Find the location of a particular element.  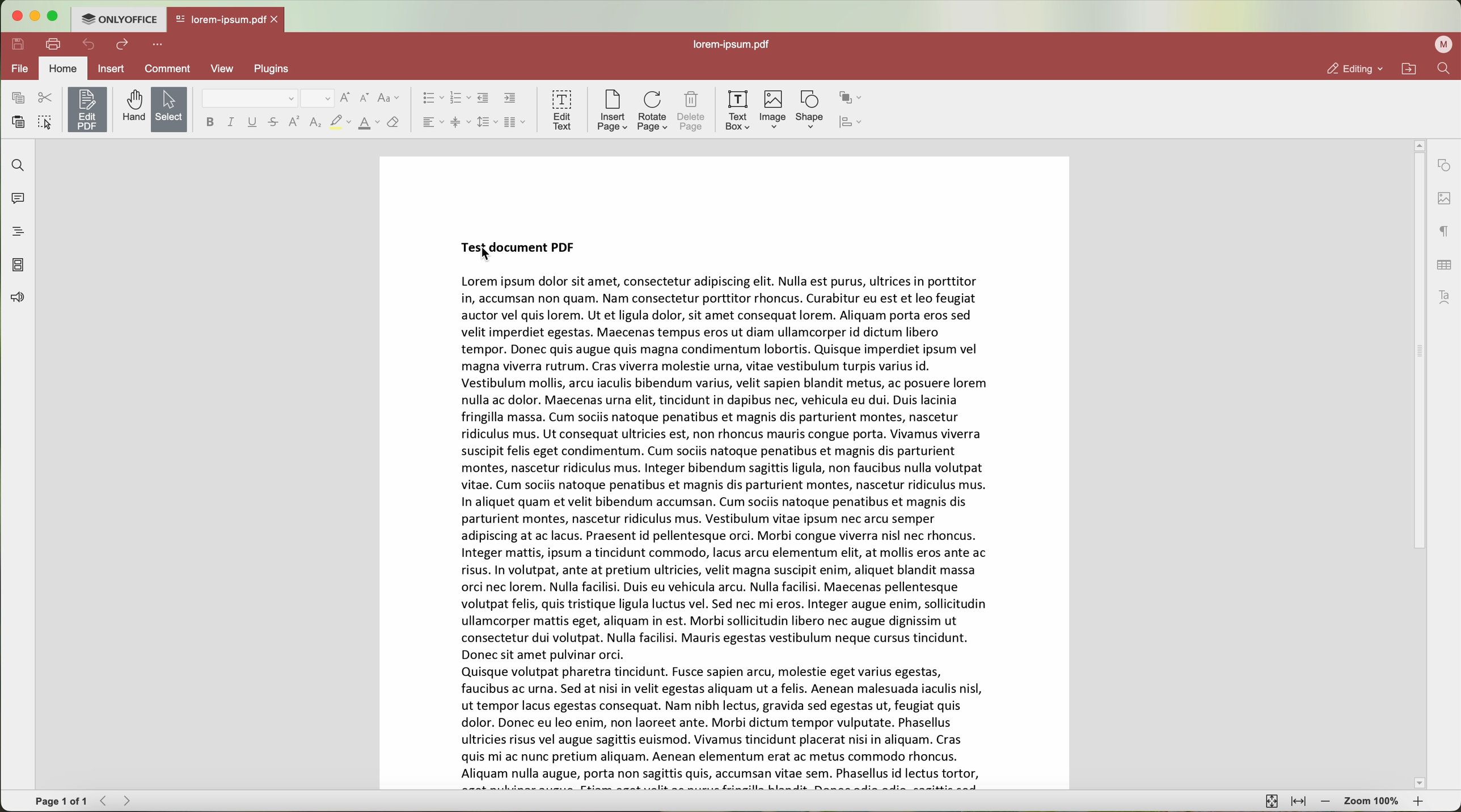

decrease indent is located at coordinates (484, 99).